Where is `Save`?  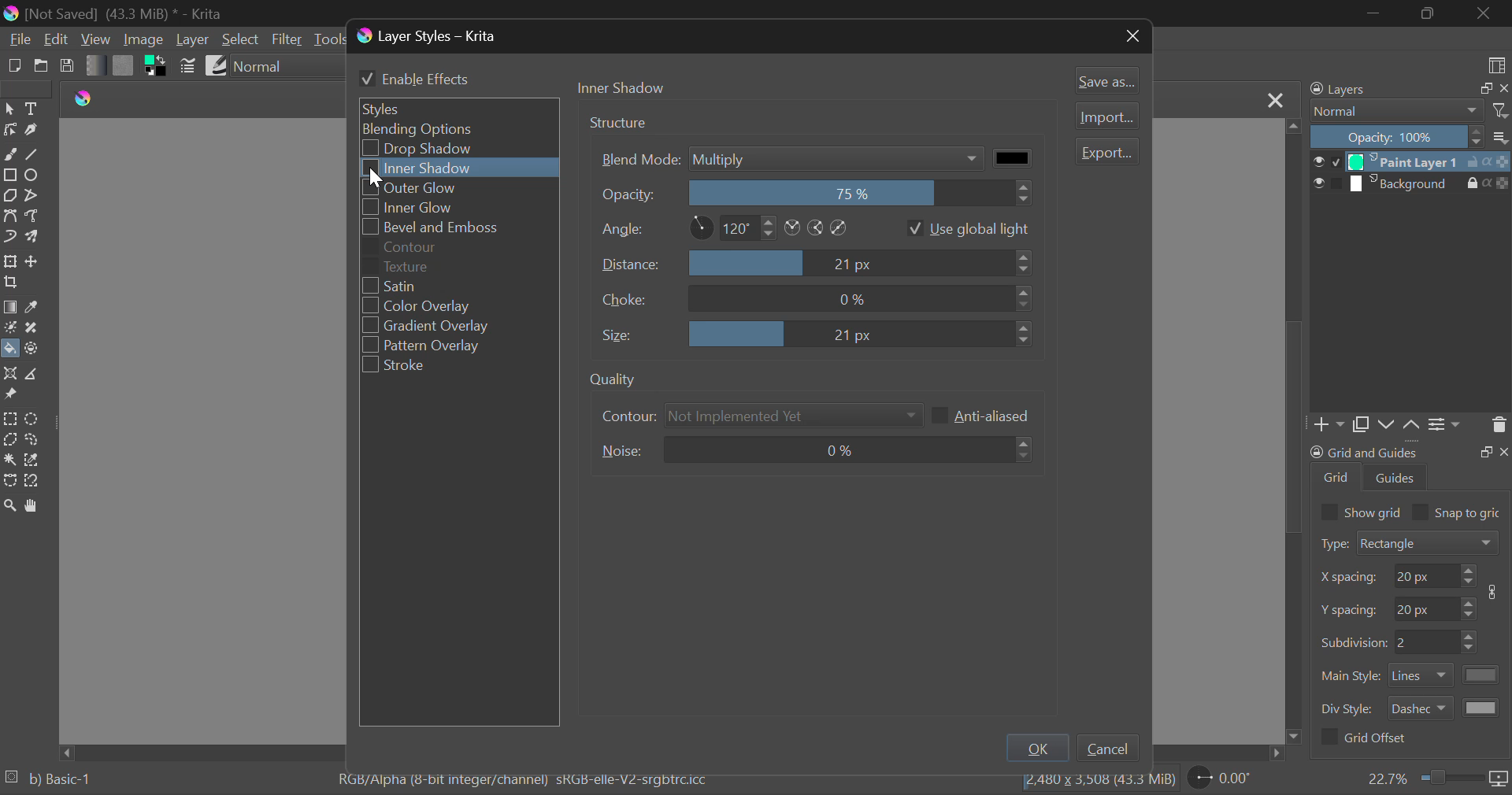
Save is located at coordinates (68, 68).